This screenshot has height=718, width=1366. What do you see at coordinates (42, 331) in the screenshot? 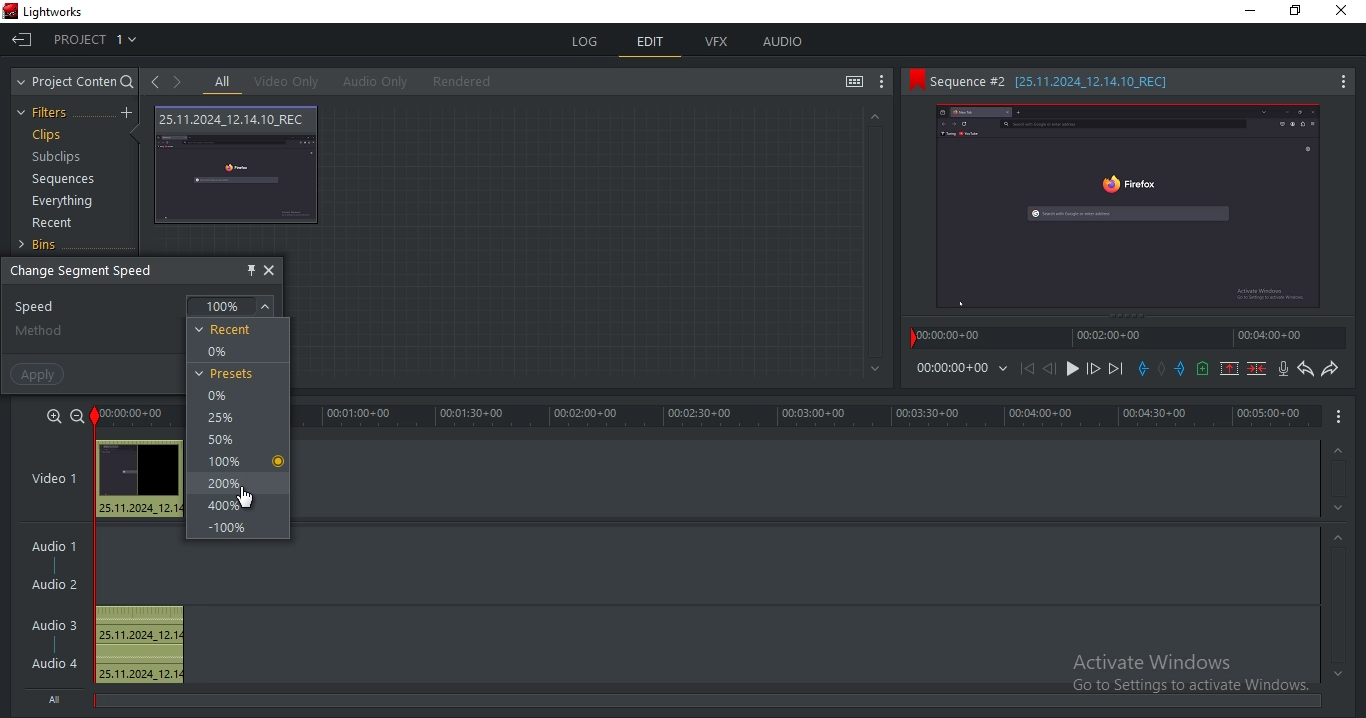
I see `method` at bounding box center [42, 331].